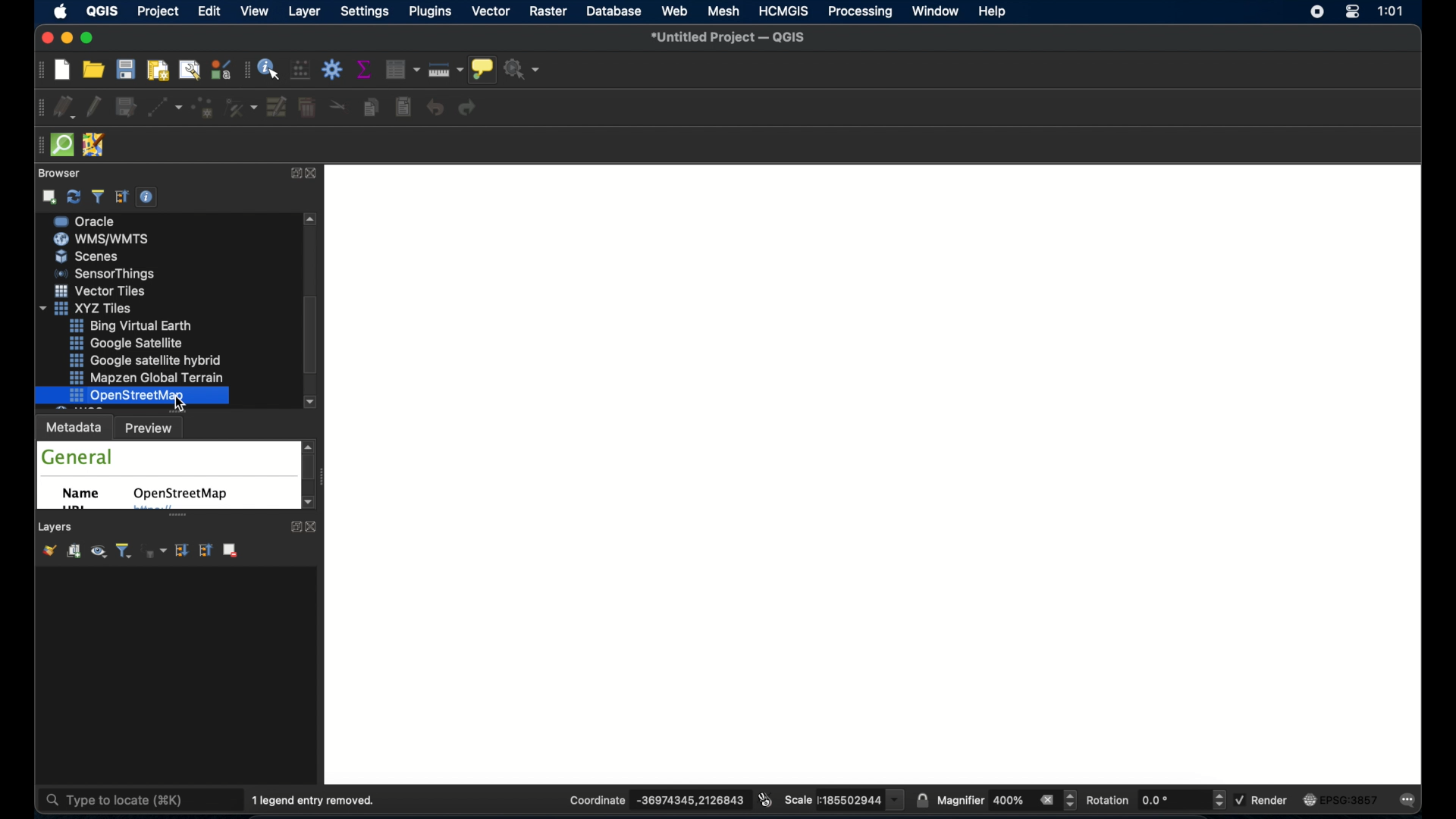 This screenshot has width=1456, height=819. Describe the element at coordinates (47, 552) in the screenshot. I see `open layer styling panel` at that location.